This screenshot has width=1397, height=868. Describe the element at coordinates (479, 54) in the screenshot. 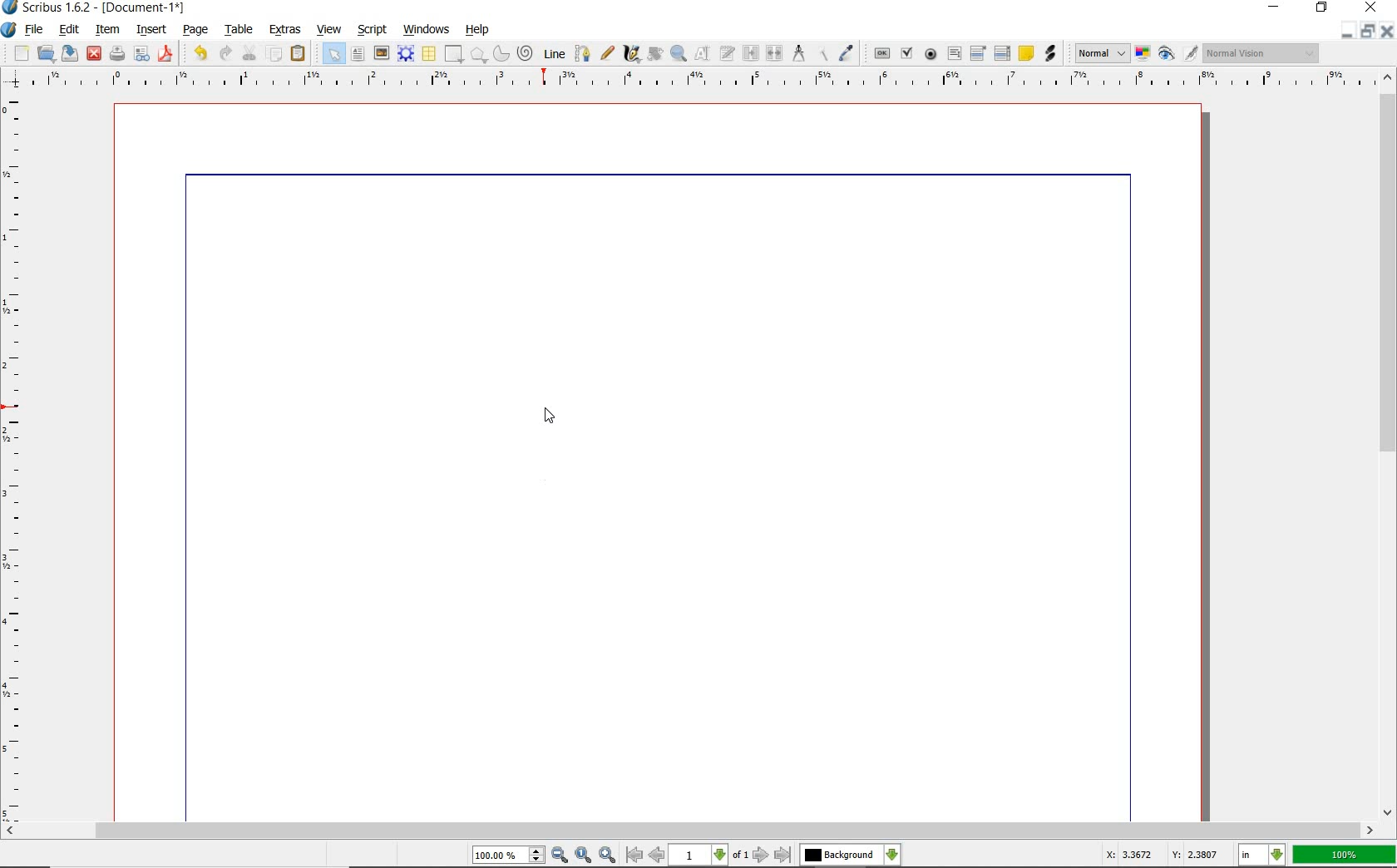

I see `polygon` at that location.